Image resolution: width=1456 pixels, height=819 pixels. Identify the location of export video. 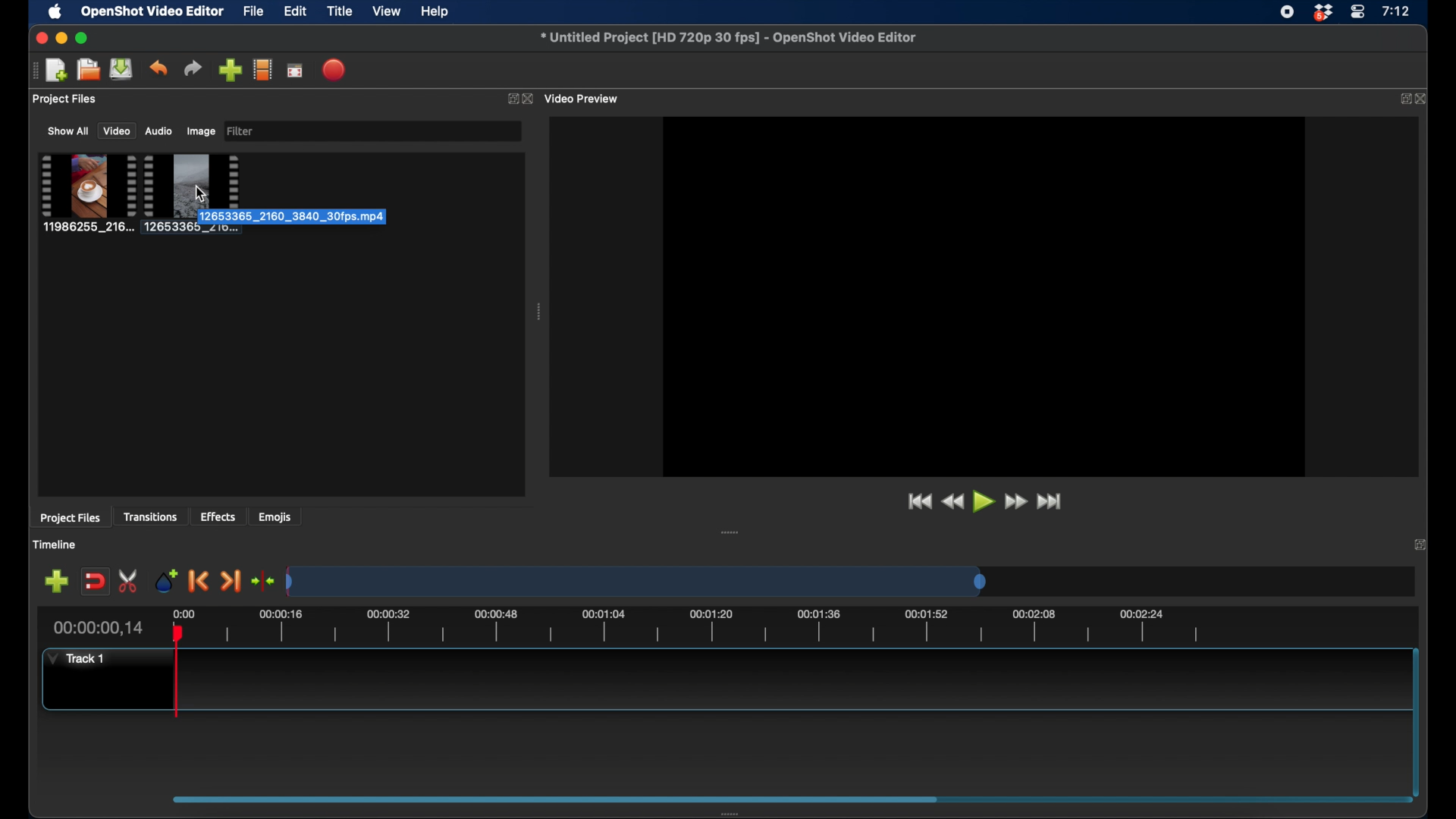
(336, 70).